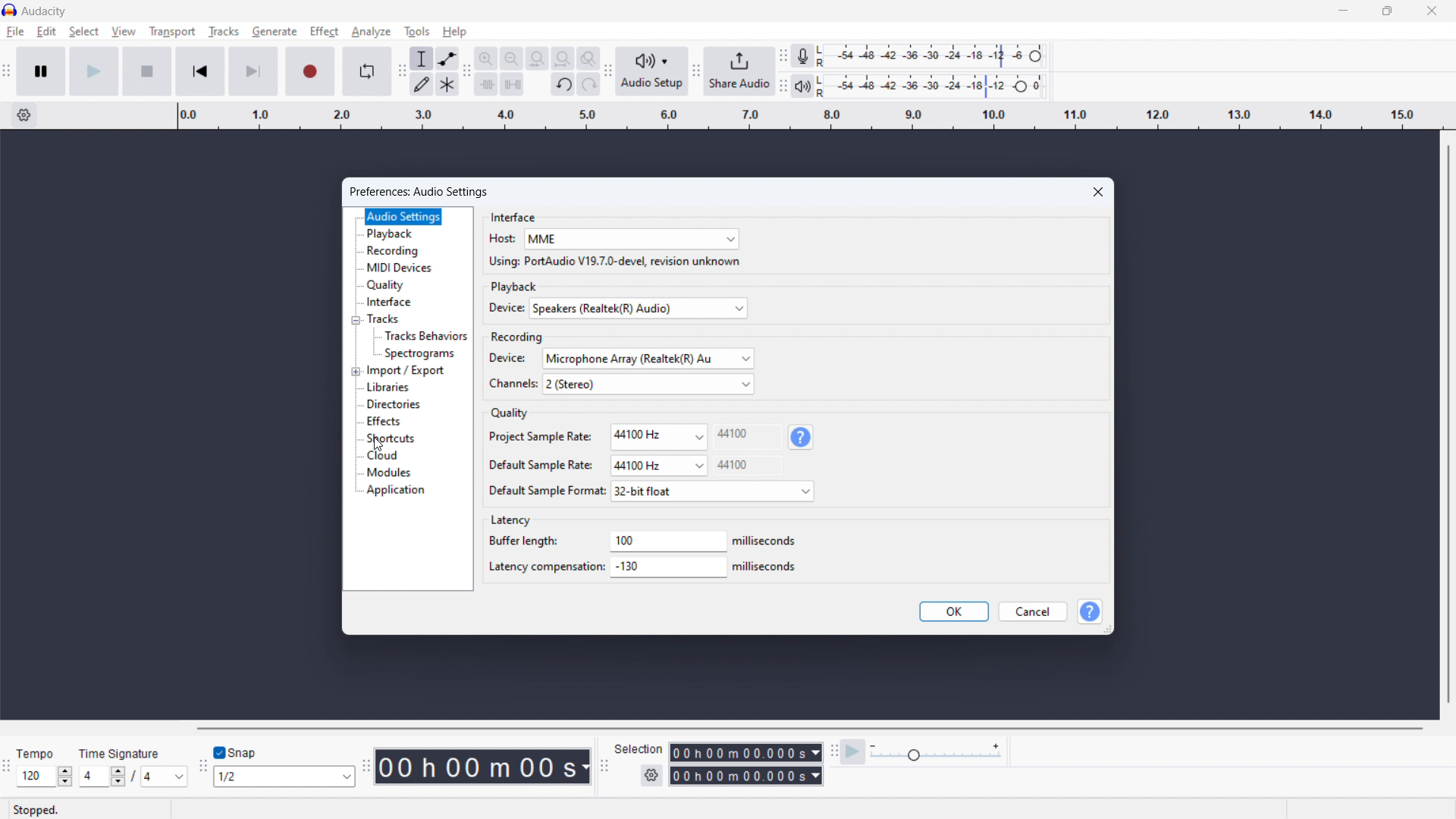 This screenshot has width=1456, height=819. What do you see at coordinates (1098, 193) in the screenshot?
I see `close` at bounding box center [1098, 193].